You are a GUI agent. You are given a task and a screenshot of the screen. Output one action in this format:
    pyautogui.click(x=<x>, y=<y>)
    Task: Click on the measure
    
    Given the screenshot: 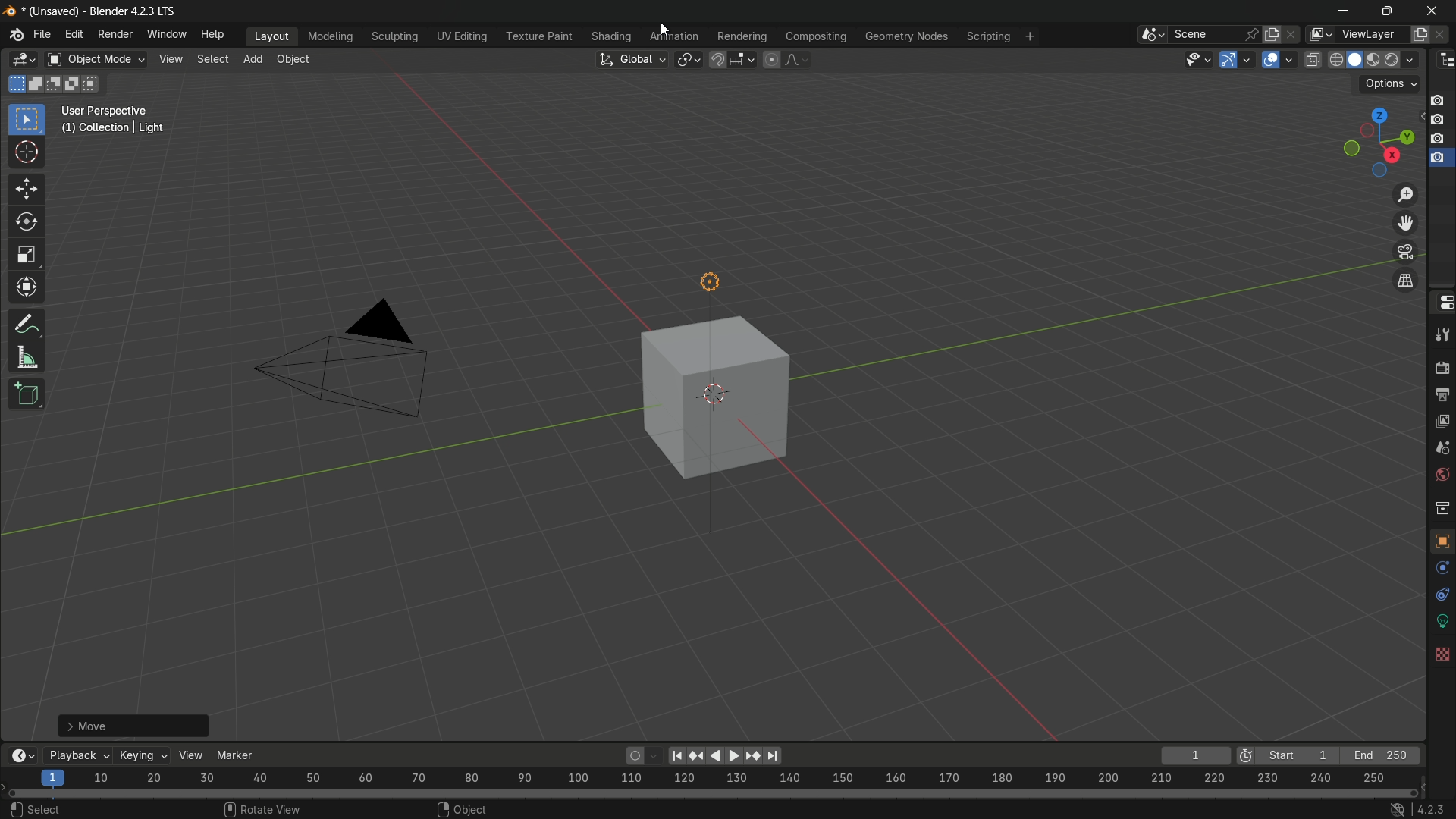 What is the action you would take?
    pyautogui.click(x=30, y=358)
    